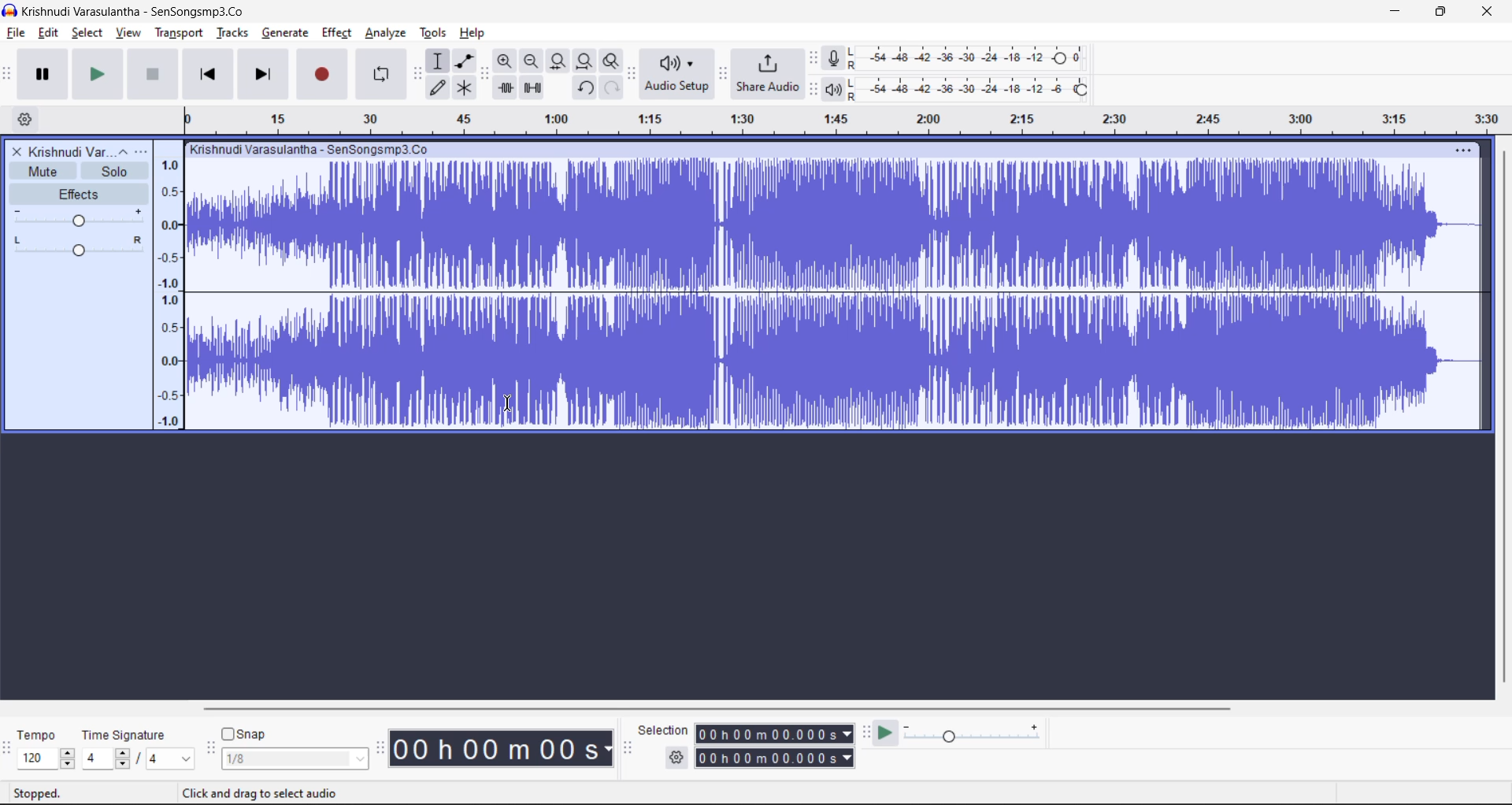 This screenshot has height=805, width=1512. I want to click on effect, so click(336, 33).